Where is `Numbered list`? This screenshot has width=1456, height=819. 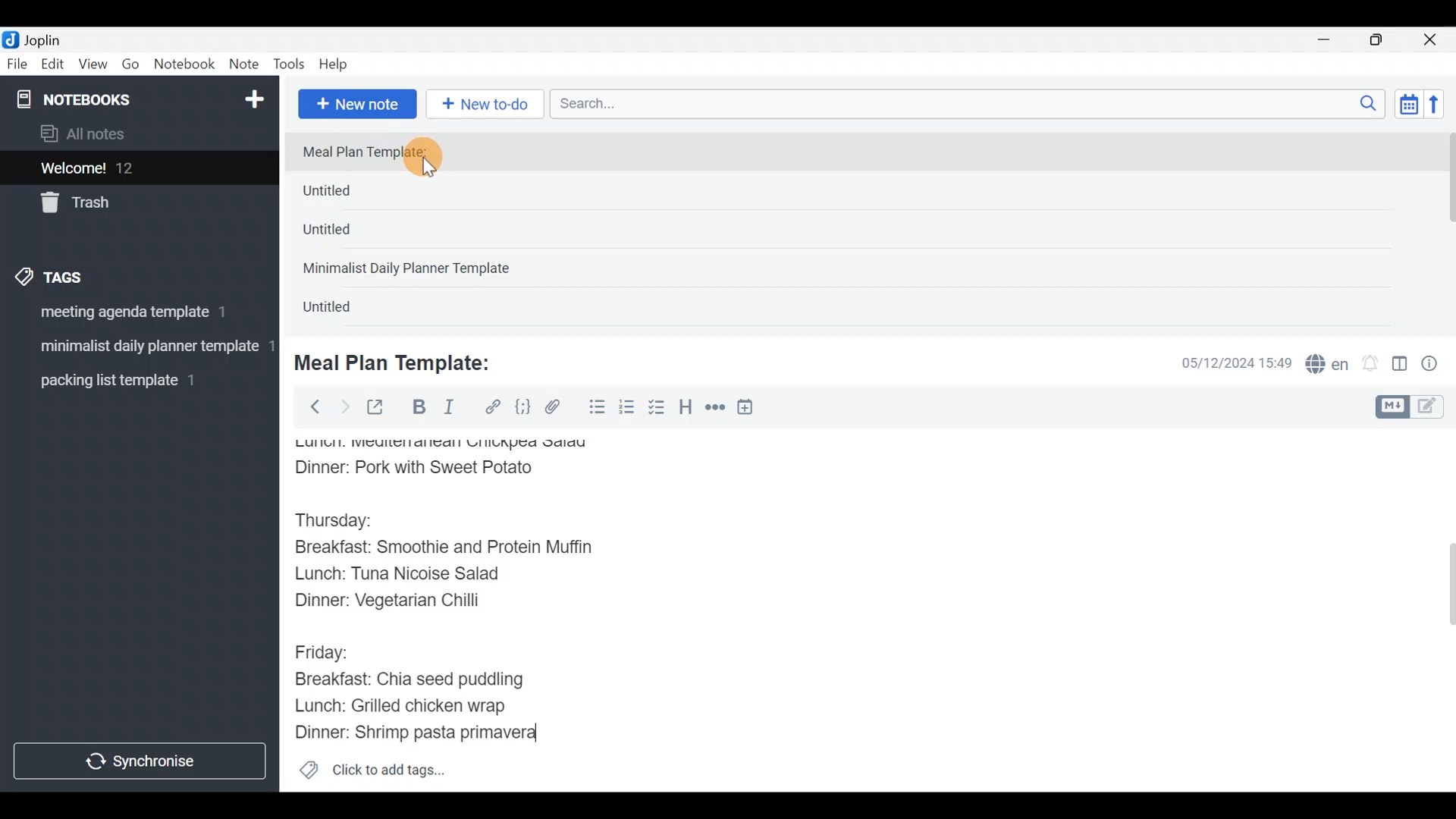
Numbered list is located at coordinates (627, 410).